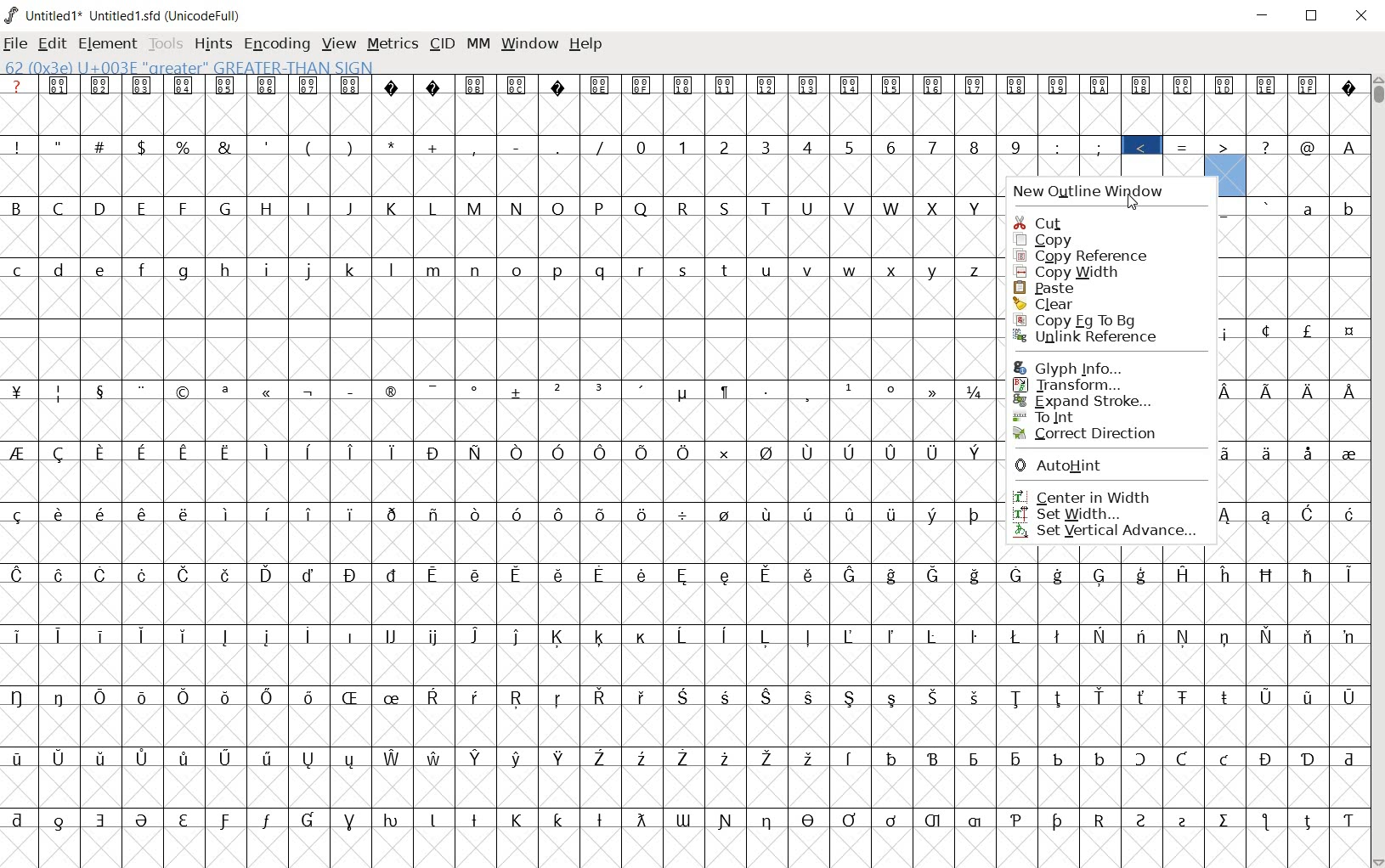  I want to click on glyphs, so click(498, 465).